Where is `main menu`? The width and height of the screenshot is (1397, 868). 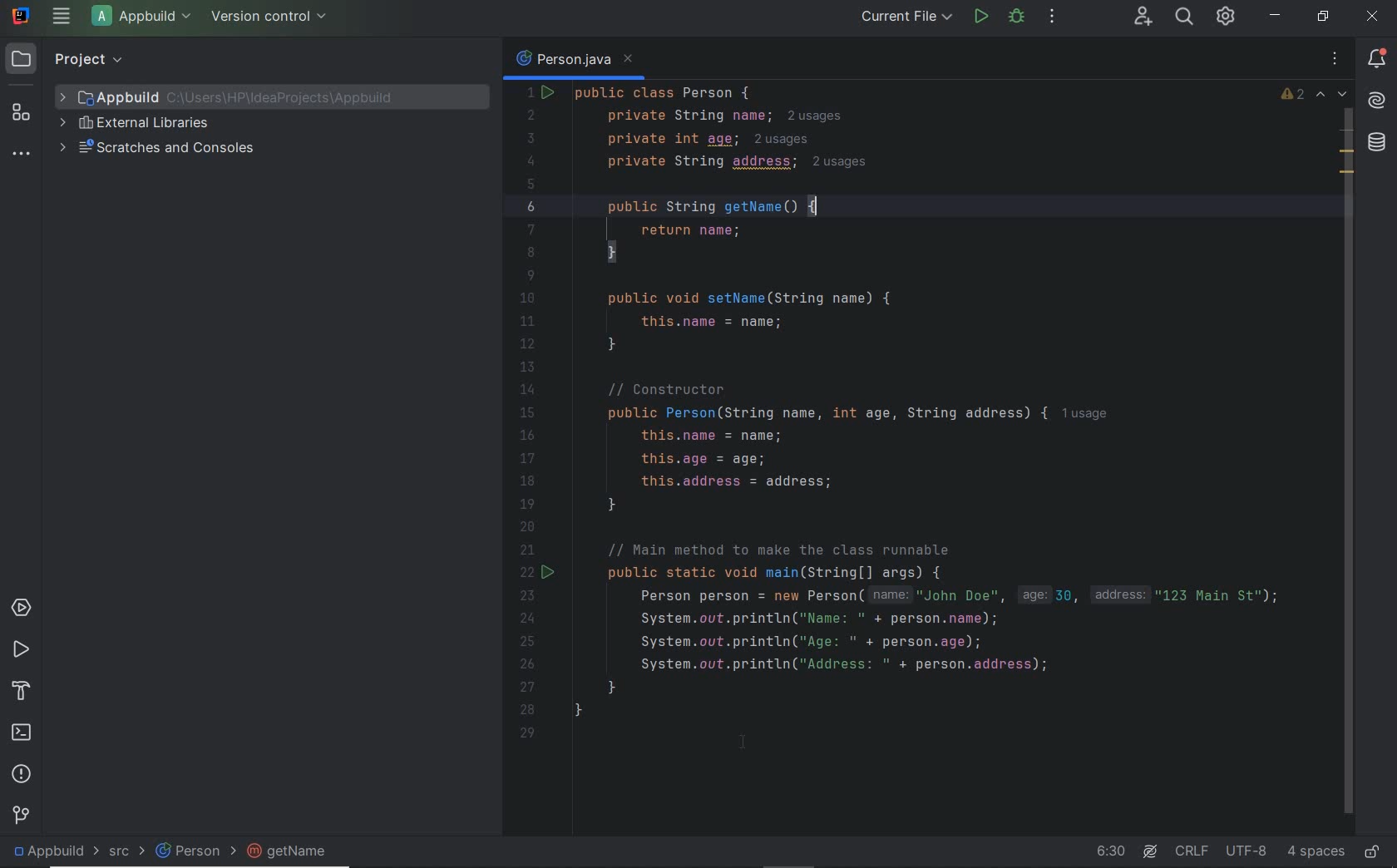
main menu is located at coordinates (60, 17).